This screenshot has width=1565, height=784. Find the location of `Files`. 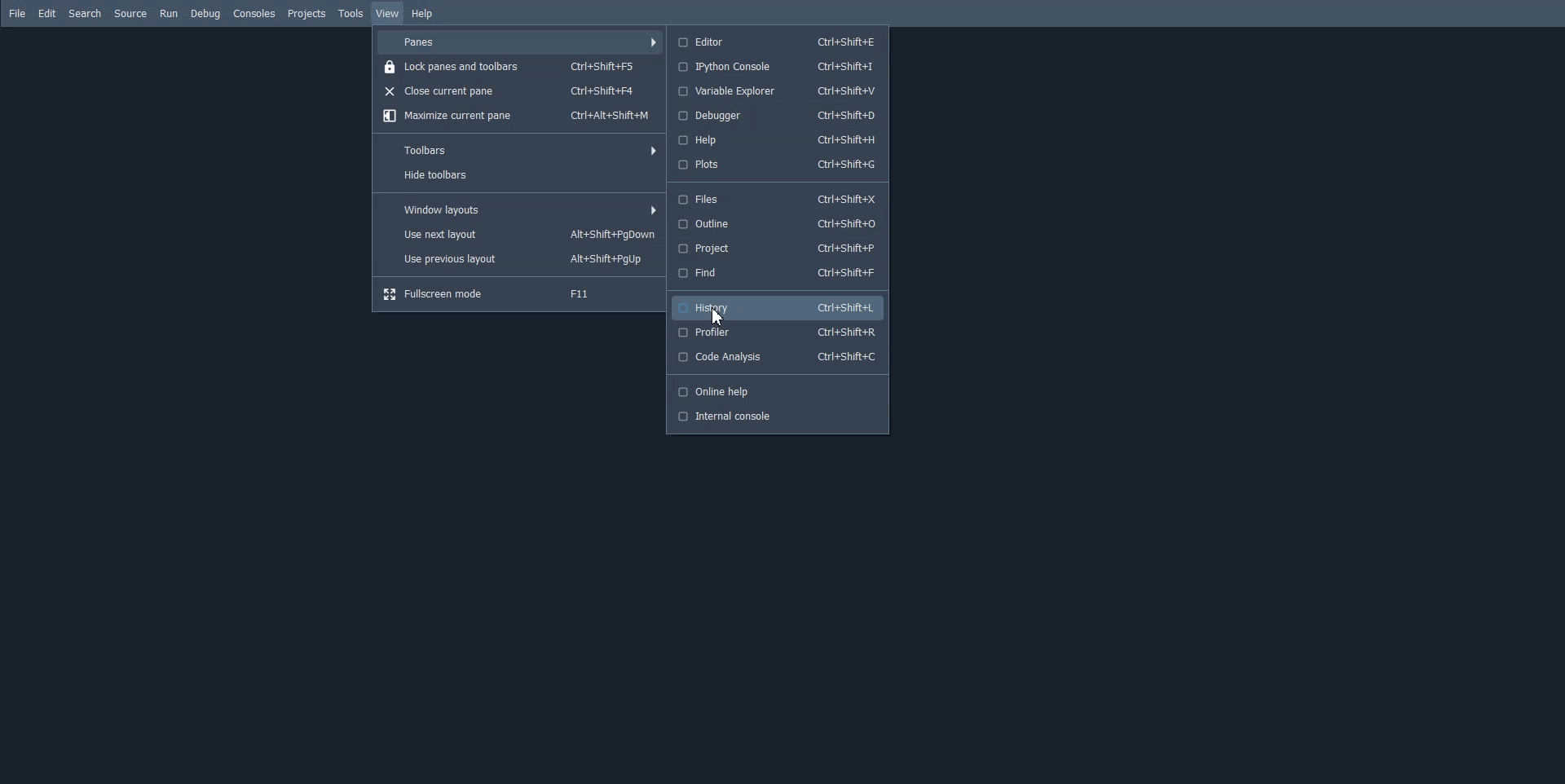

Files is located at coordinates (775, 200).